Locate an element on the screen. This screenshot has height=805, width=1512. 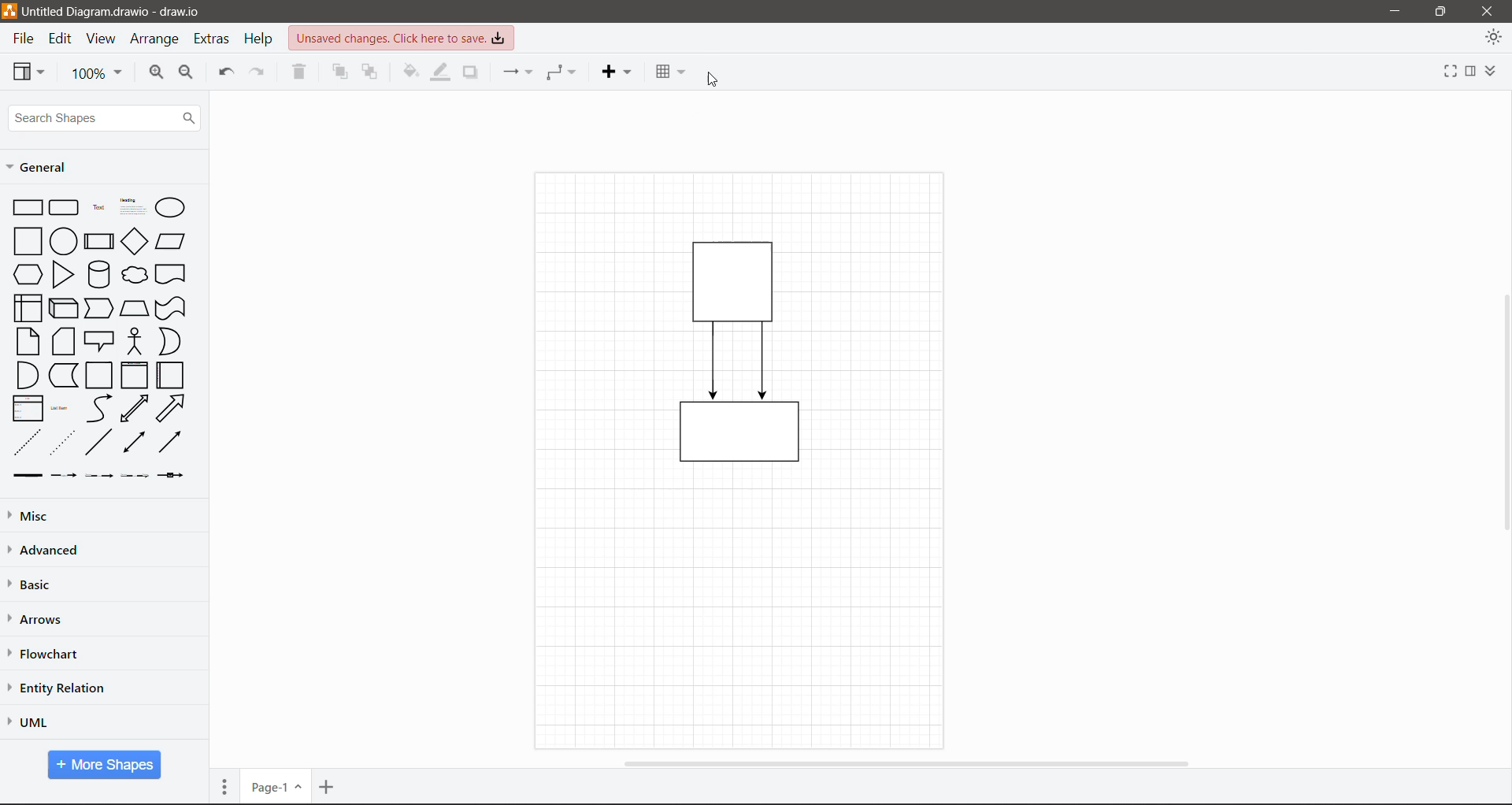
View is located at coordinates (29, 71).